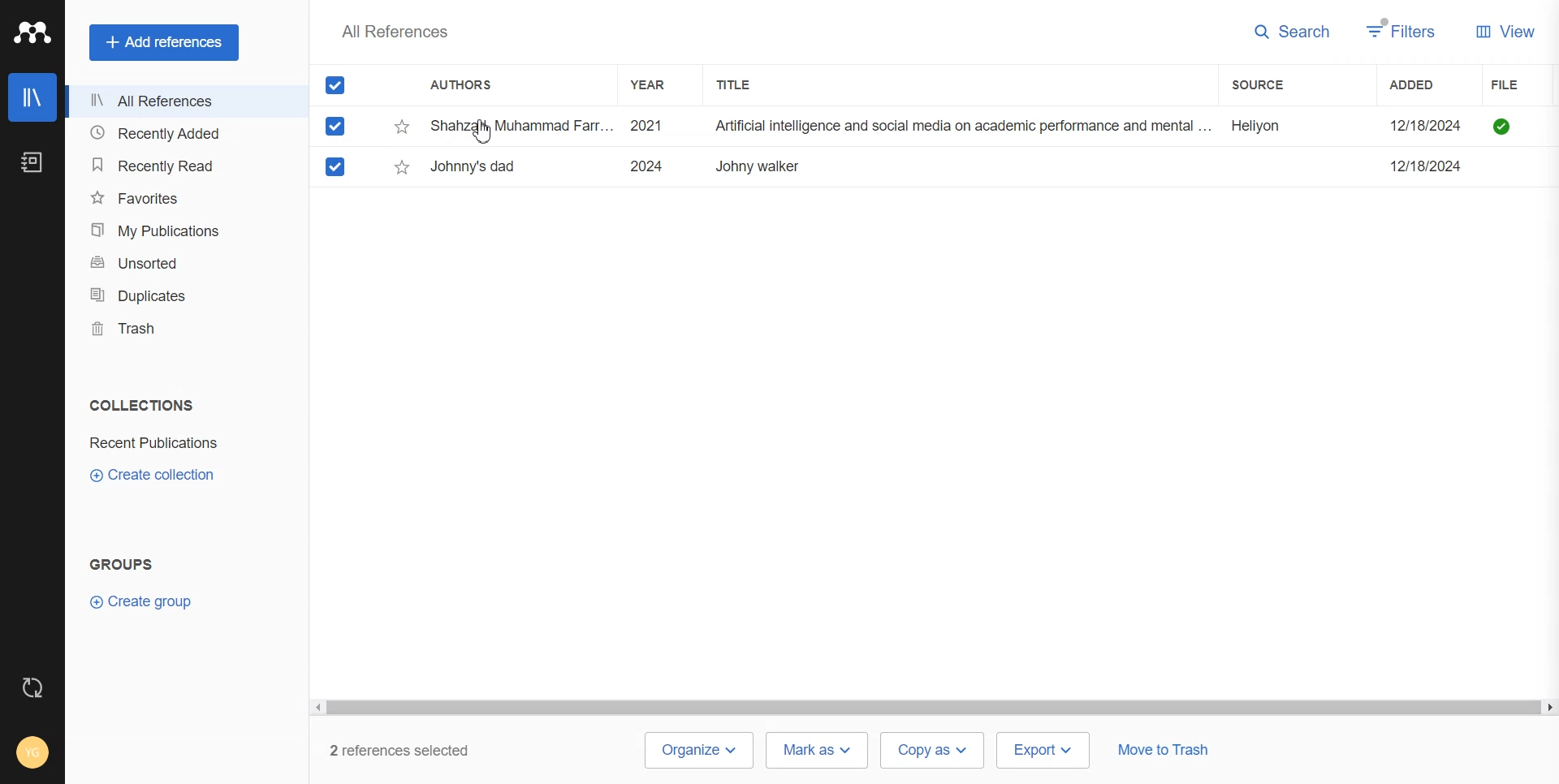  I want to click on text 1, so click(138, 405).